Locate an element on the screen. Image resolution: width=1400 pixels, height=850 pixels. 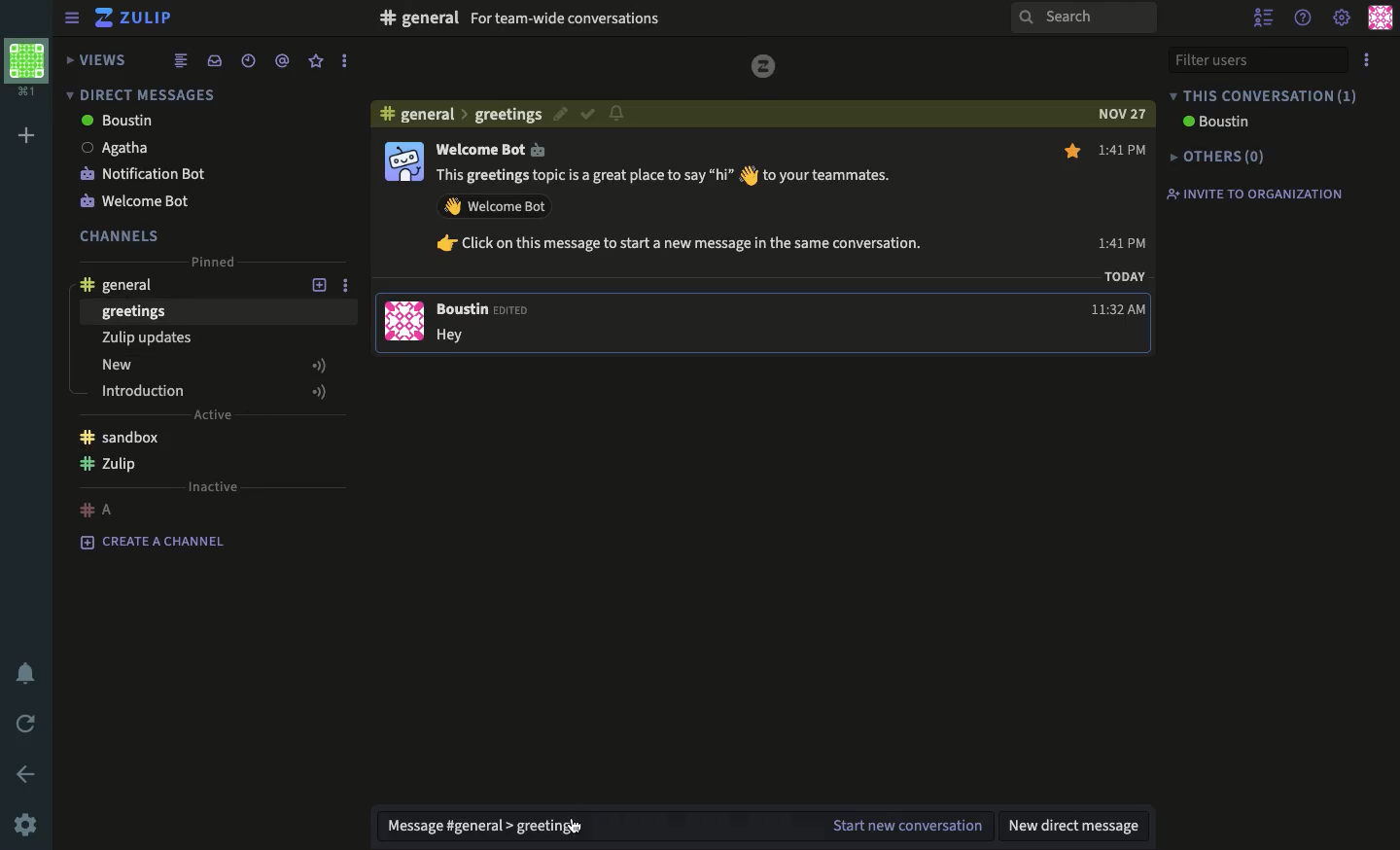
channels is located at coordinates (122, 234).